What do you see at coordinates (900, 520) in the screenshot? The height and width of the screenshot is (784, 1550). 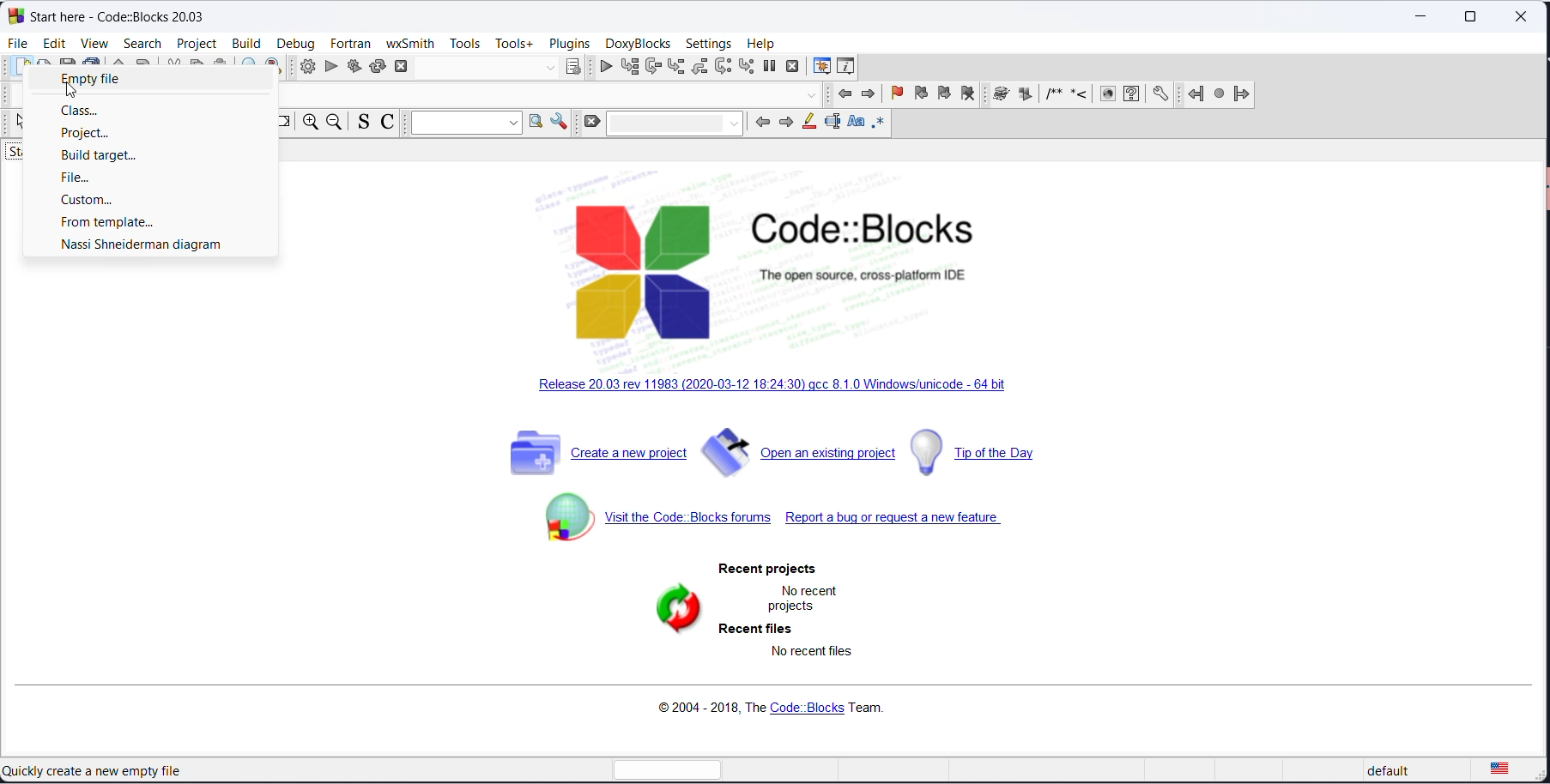 I see `Report a bug or request a new feature` at bounding box center [900, 520].